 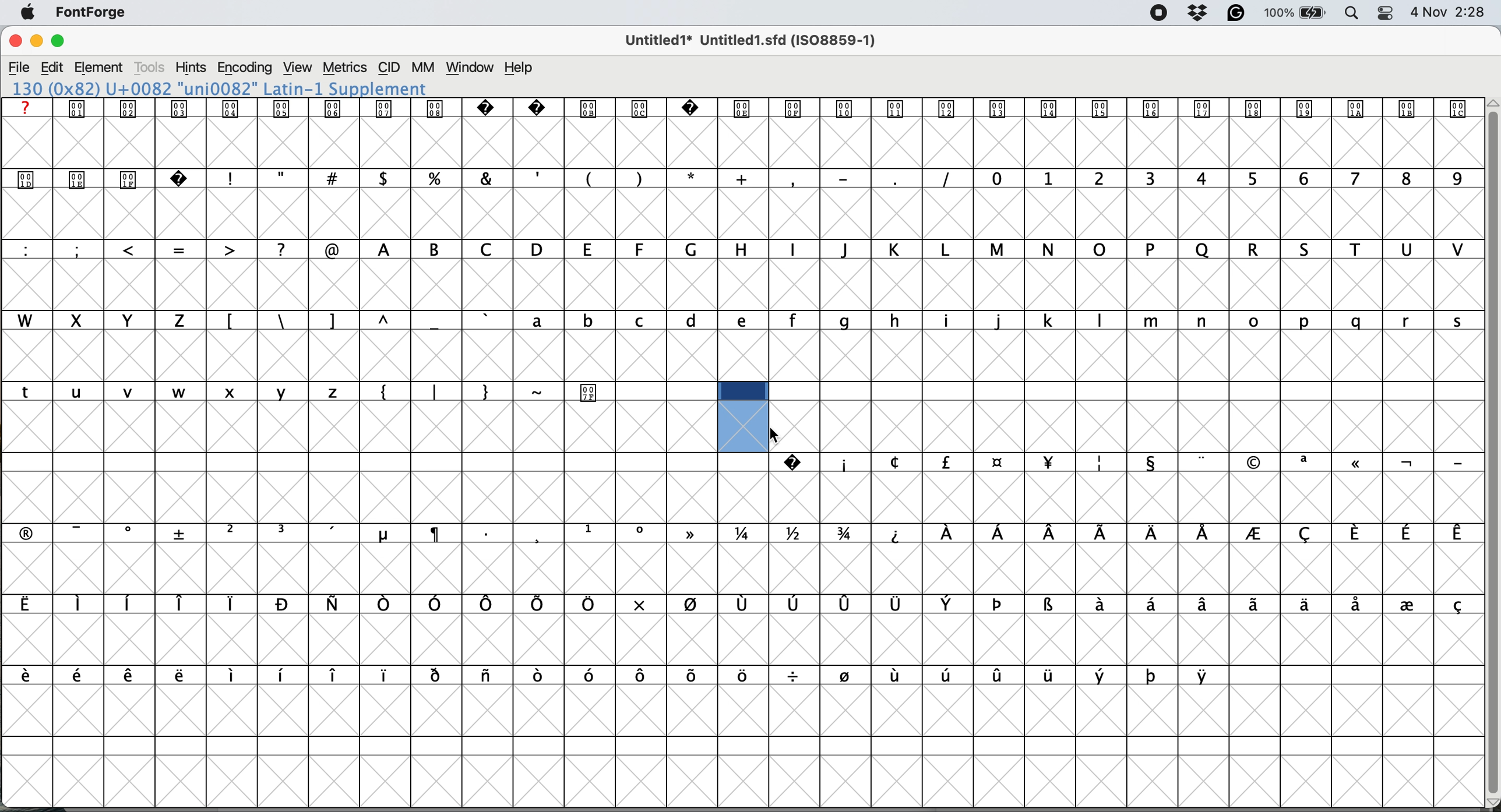 What do you see at coordinates (622, 675) in the screenshot?
I see `symbols` at bounding box center [622, 675].